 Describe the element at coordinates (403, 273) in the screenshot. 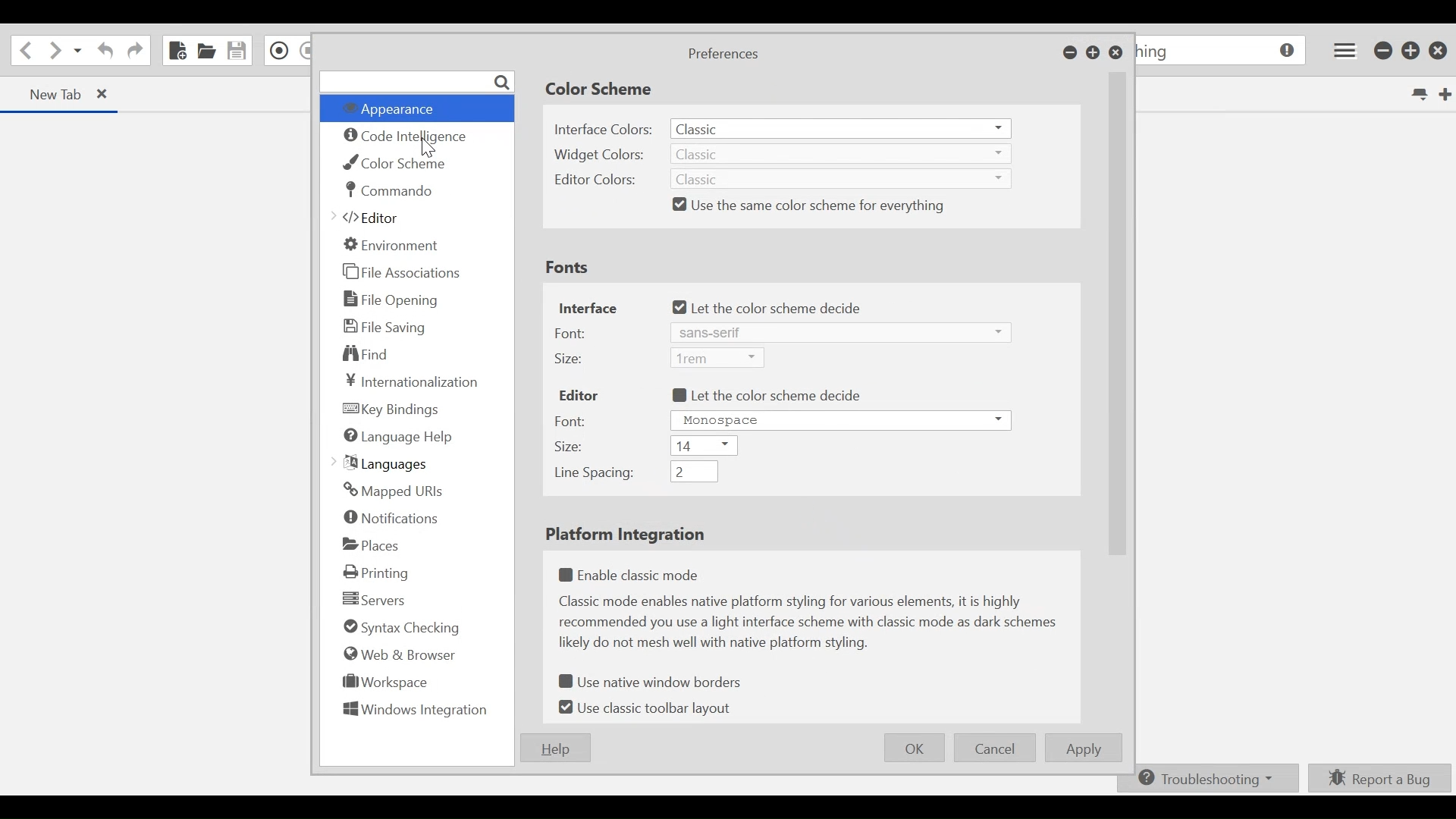

I see `File Association` at that location.